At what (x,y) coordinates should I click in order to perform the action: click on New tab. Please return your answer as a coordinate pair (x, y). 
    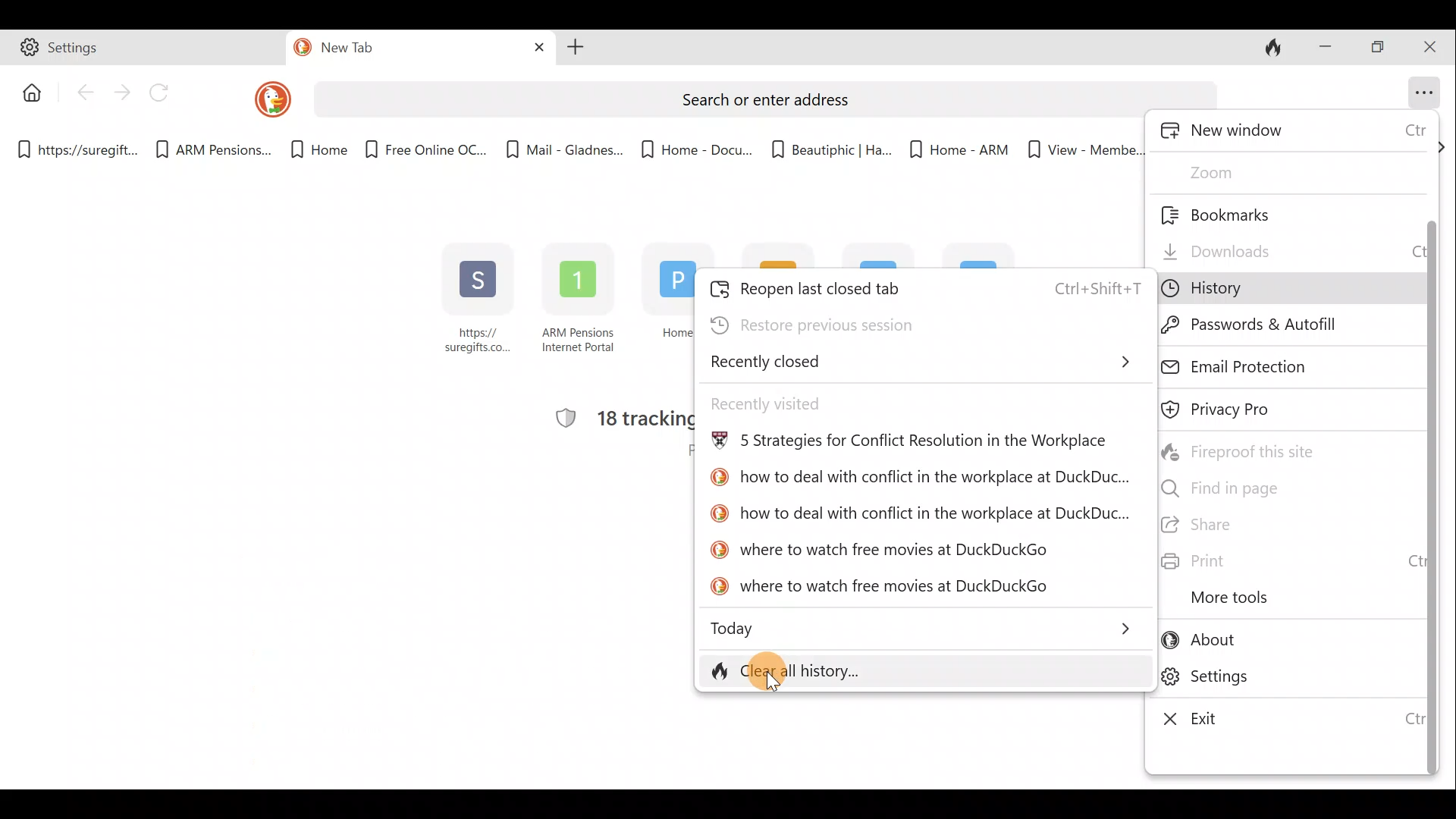
    Looking at the image, I should click on (388, 50).